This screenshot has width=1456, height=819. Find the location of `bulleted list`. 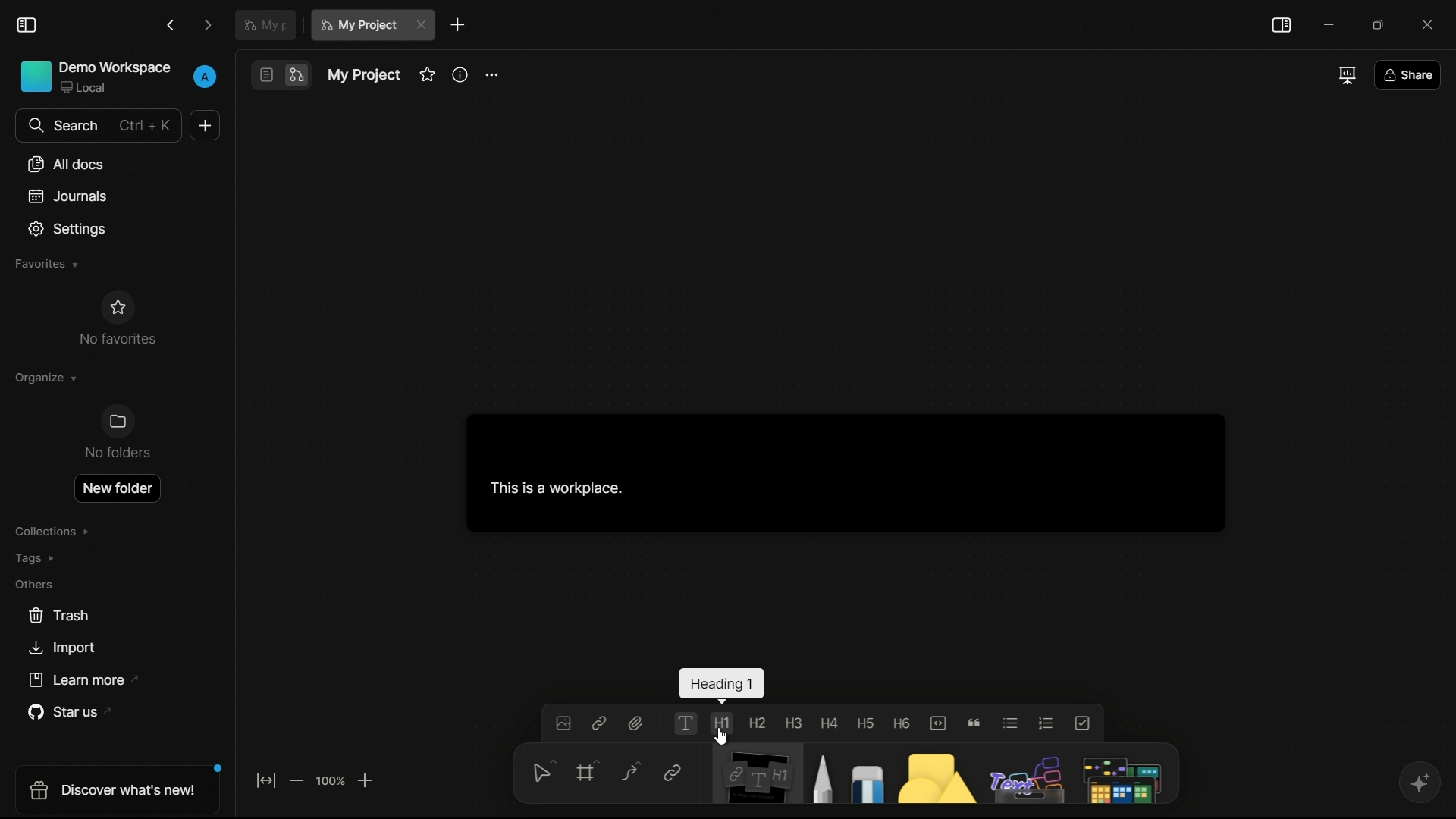

bulleted list is located at coordinates (1009, 723).